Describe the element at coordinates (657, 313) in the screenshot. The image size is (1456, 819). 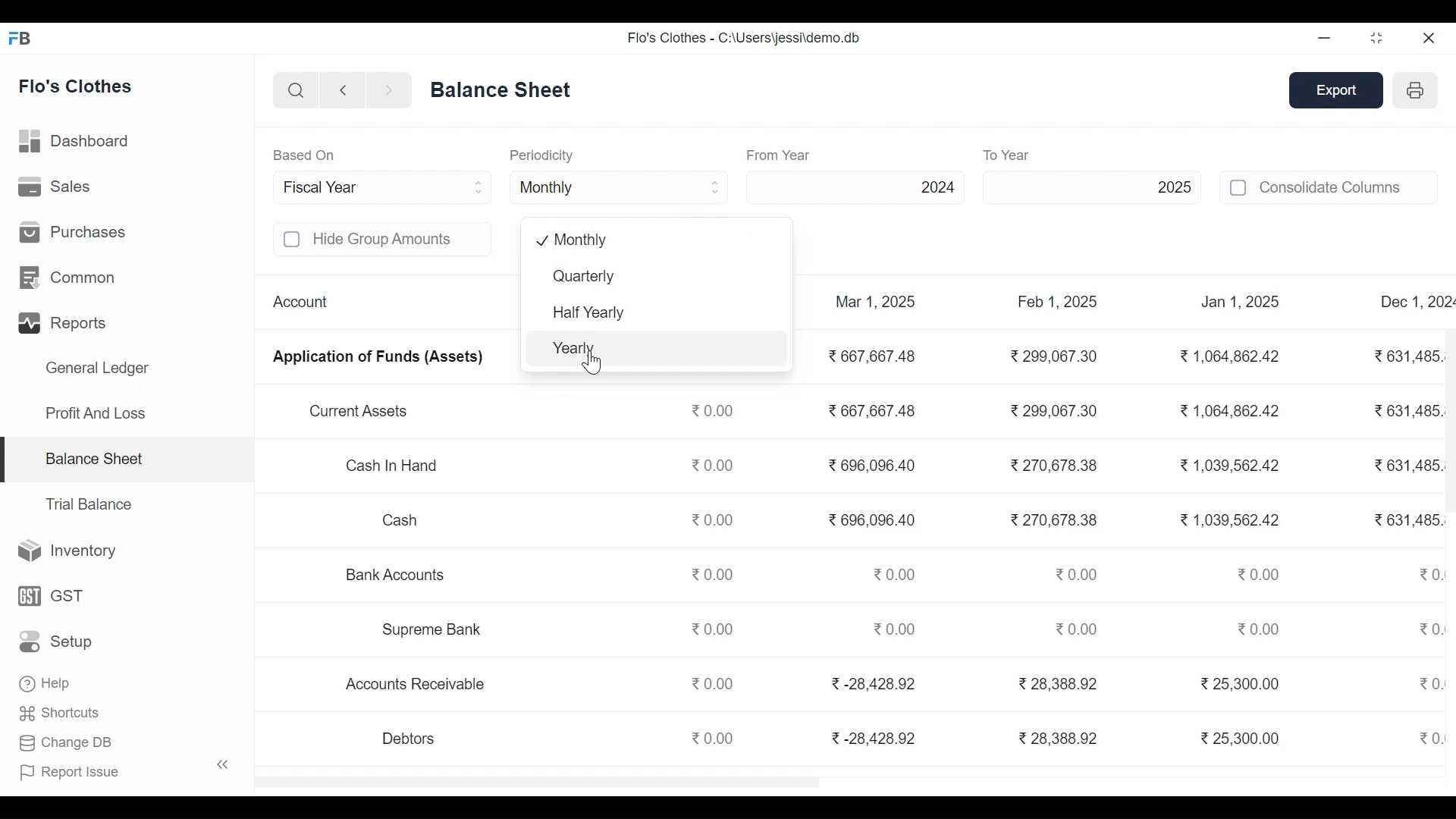
I see `Half Yearly` at that location.